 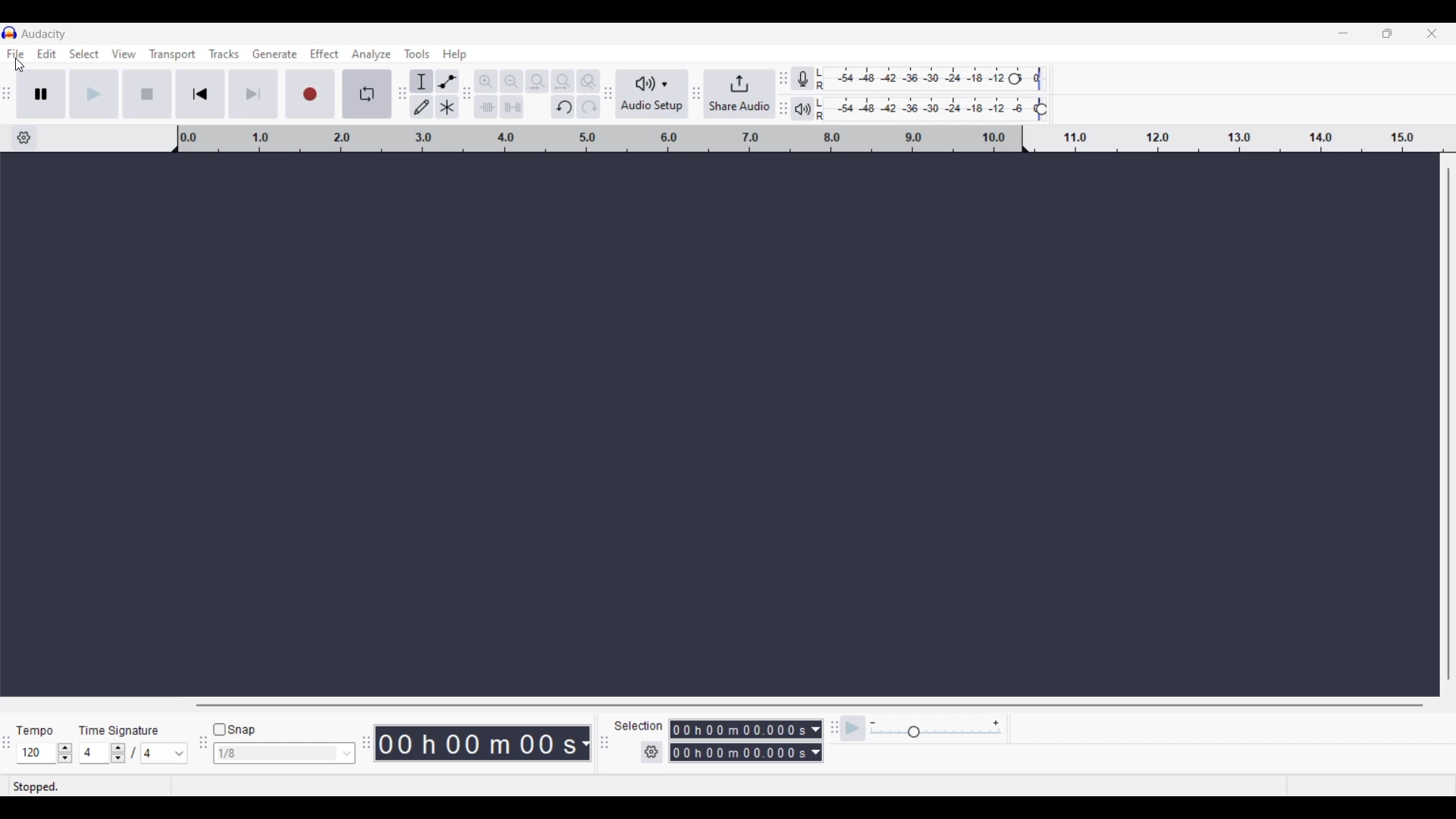 What do you see at coordinates (537, 81) in the screenshot?
I see `Fit selection to width` at bounding box center [537, 81].